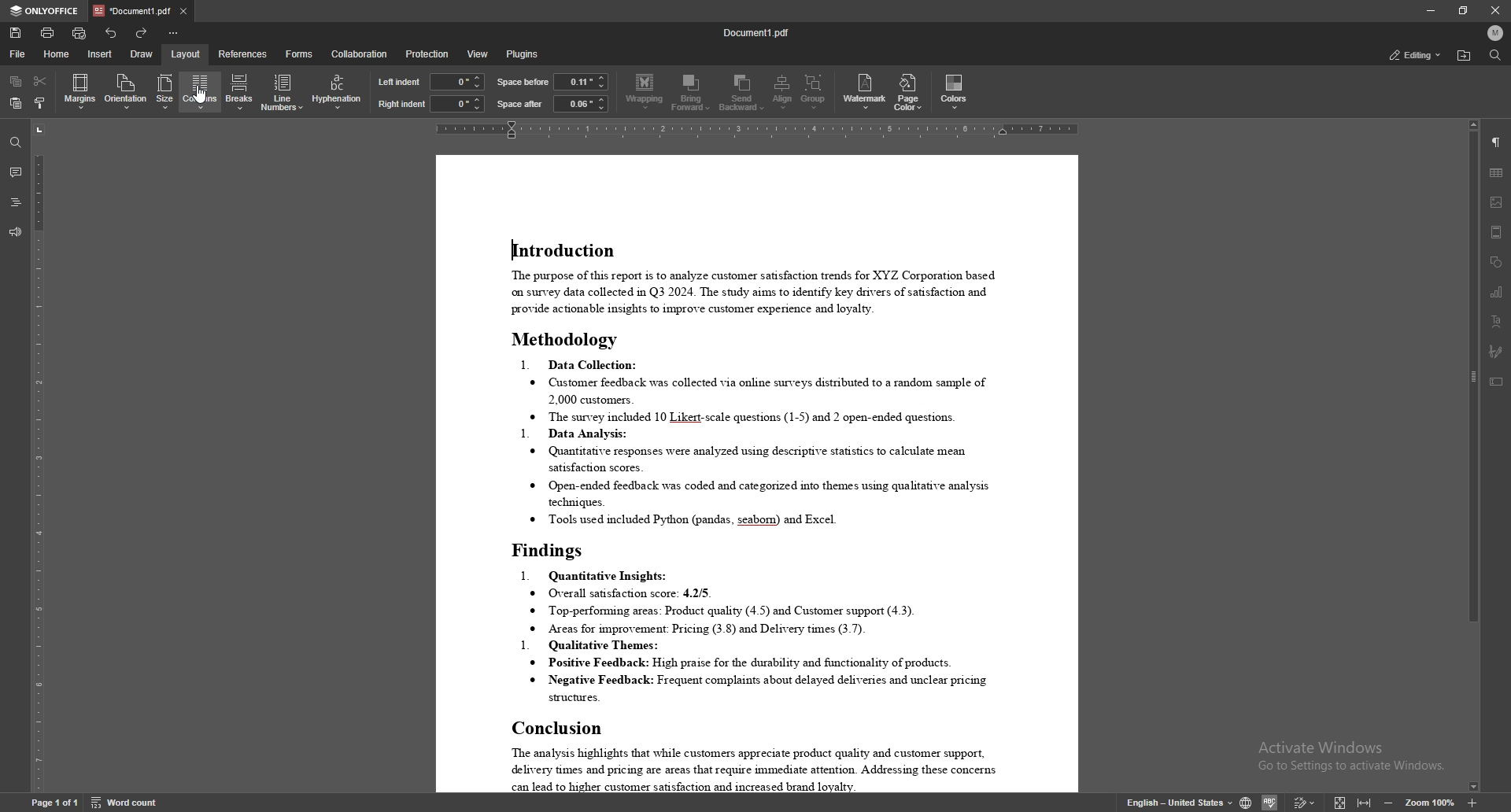  Describe the element at coordinates (57, 54) in the screenshot. I see `home` at that location.